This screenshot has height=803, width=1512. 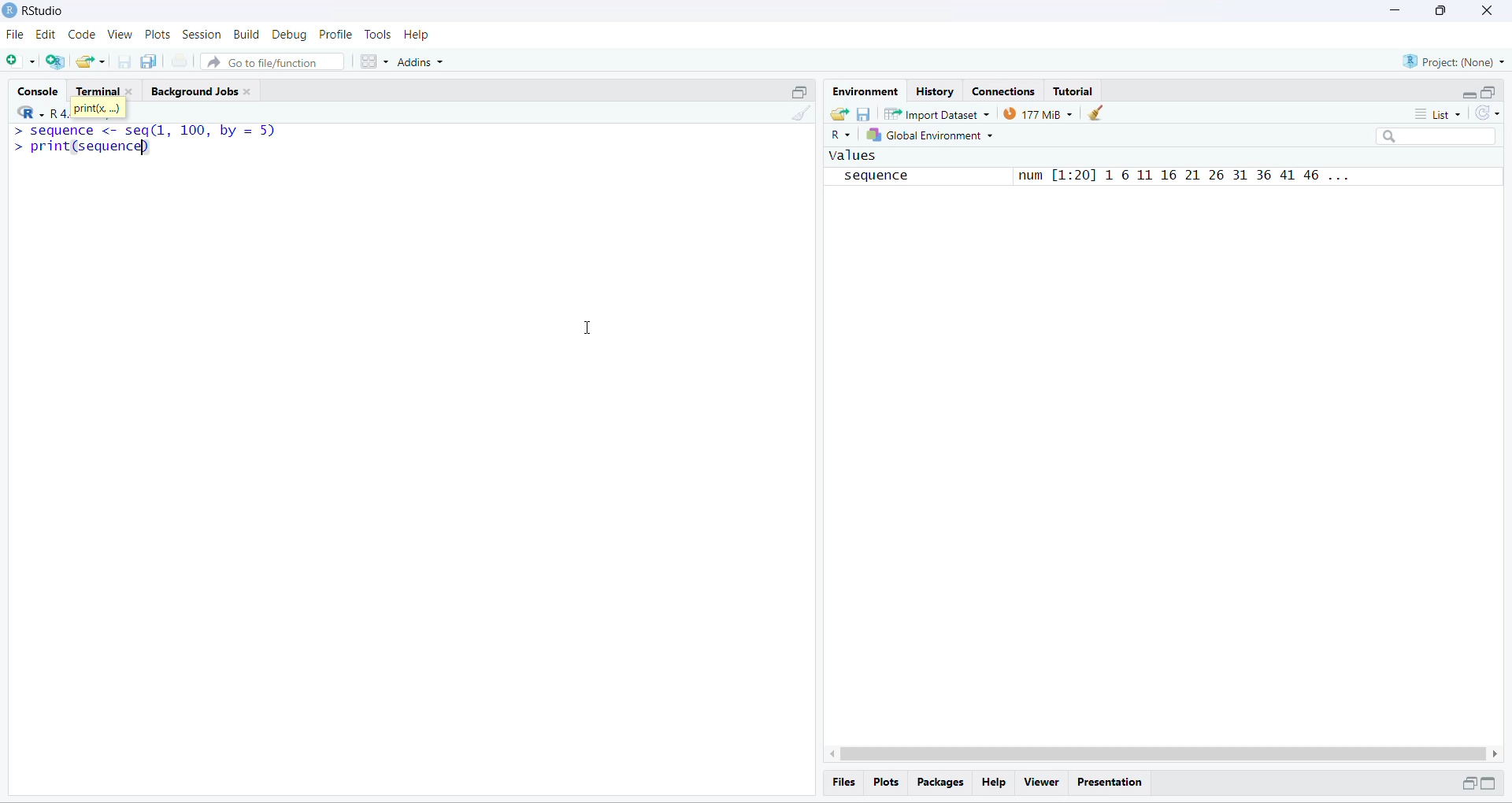 What do you see at coordinates (1488, 10) in the screenshot?
I see `close` at bounding box center [1488, 10].